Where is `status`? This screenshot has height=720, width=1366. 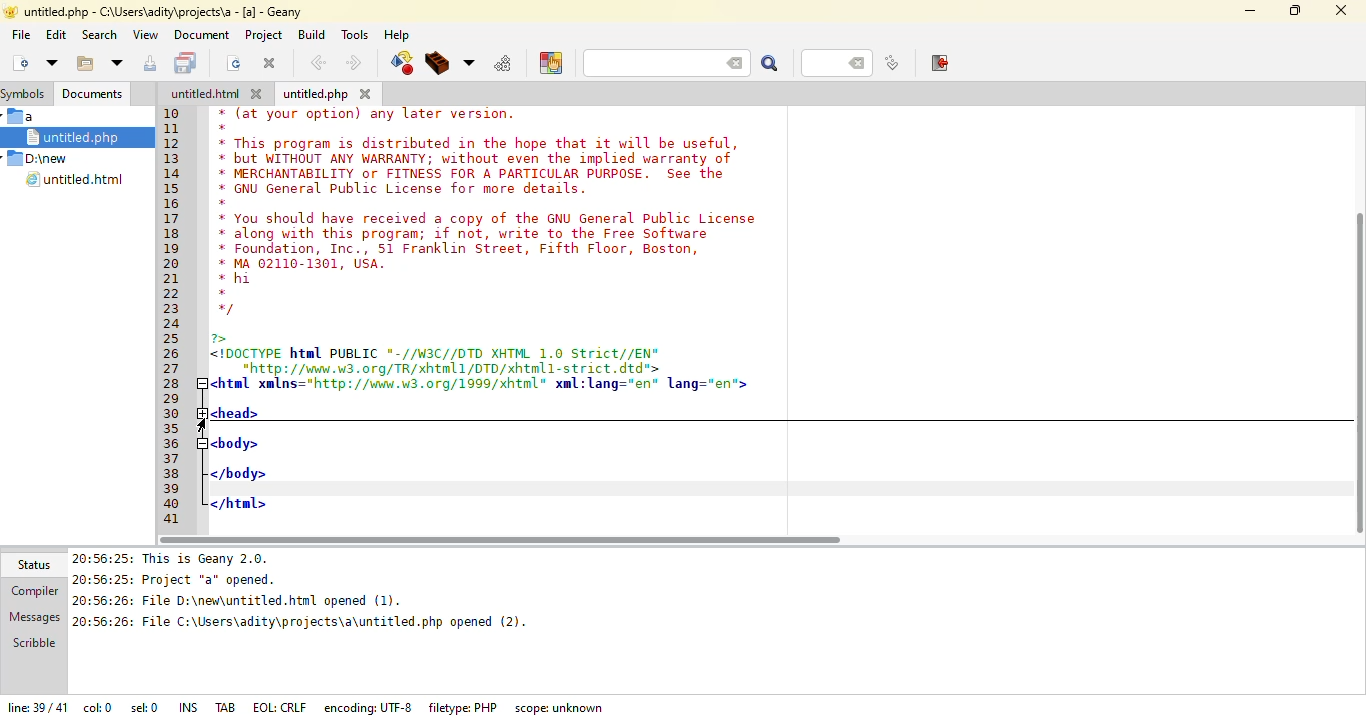 status is located at coordinates (36, 567).